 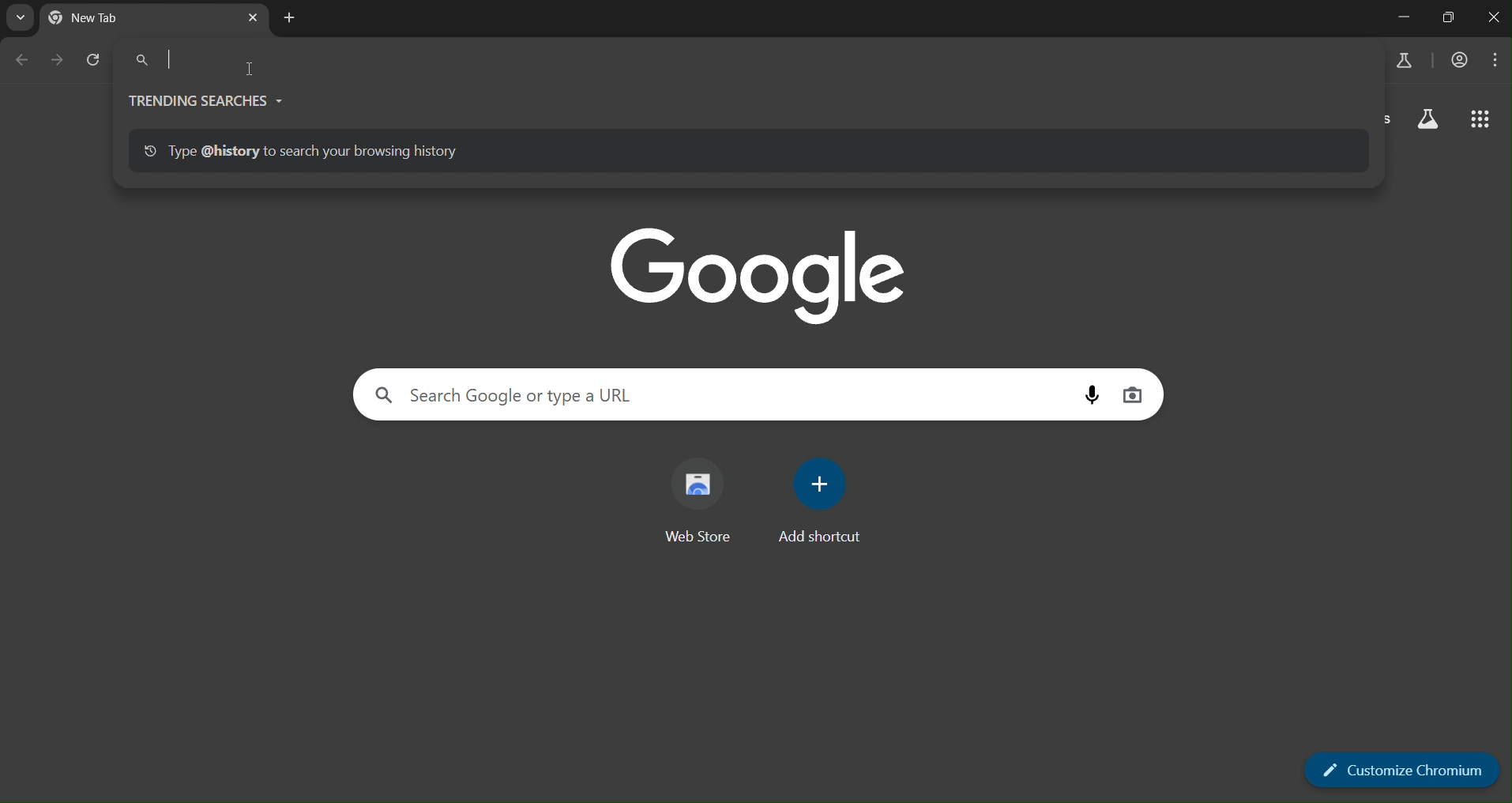 I want to click on trending searches, so click(x=252, y=98).